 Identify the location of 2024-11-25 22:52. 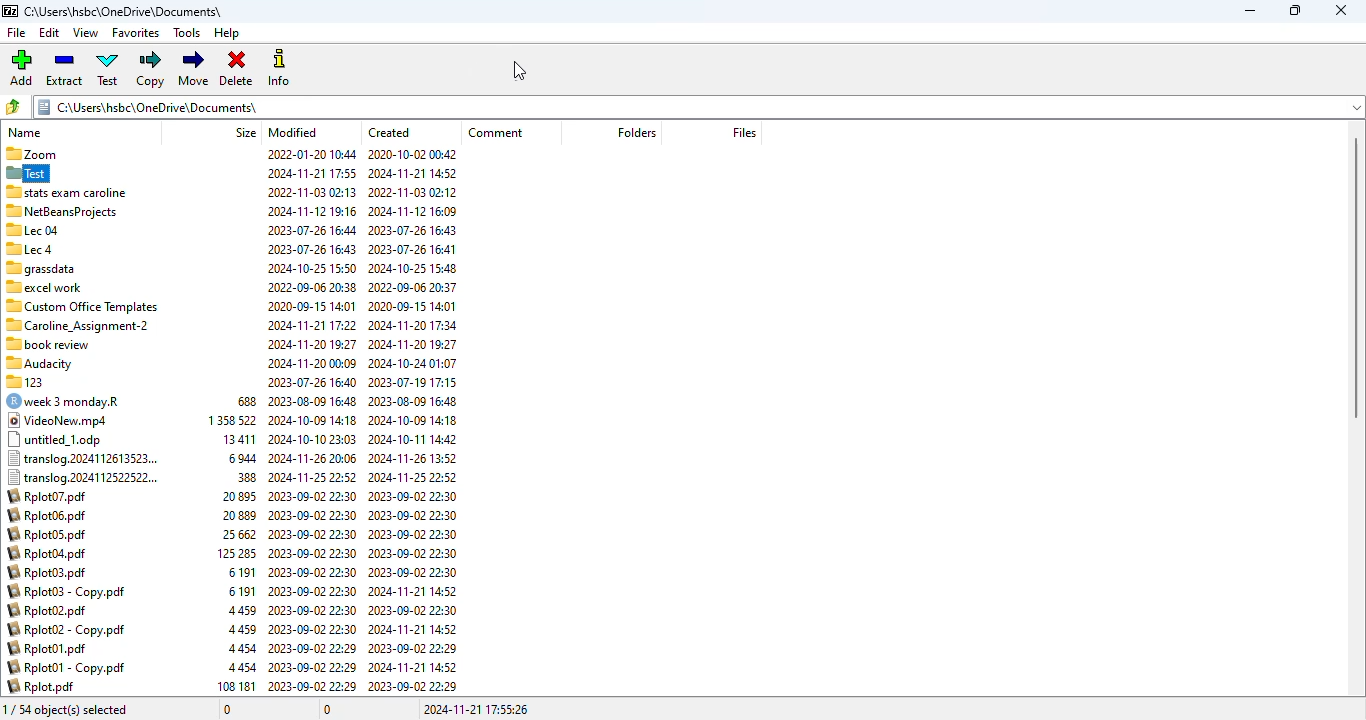
(412, 477).